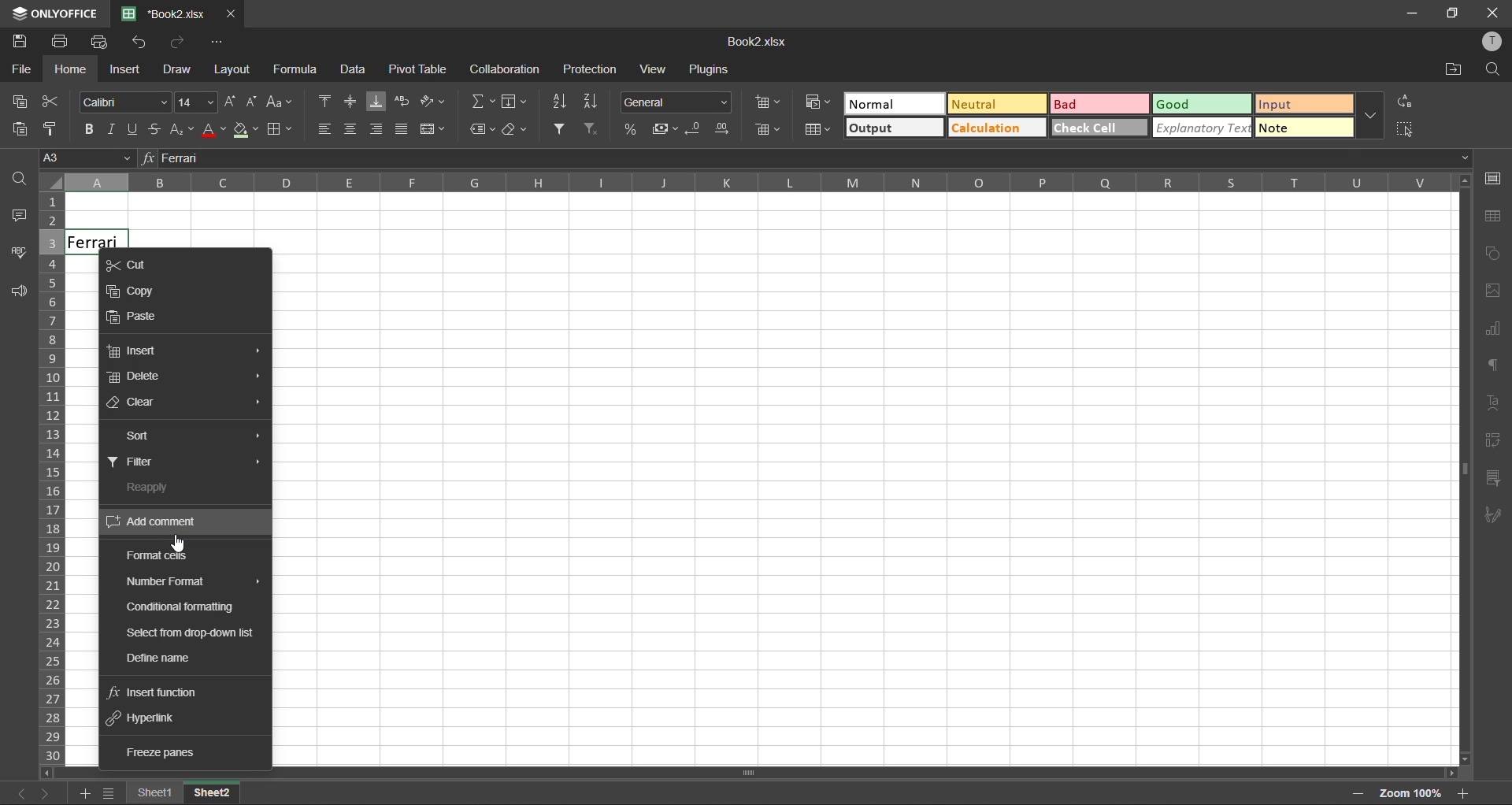 The width and height of the screenshot is (1512, 805). Describe the element at coordinates (157, 693) in the screenshot. I see `insert function` at that location.